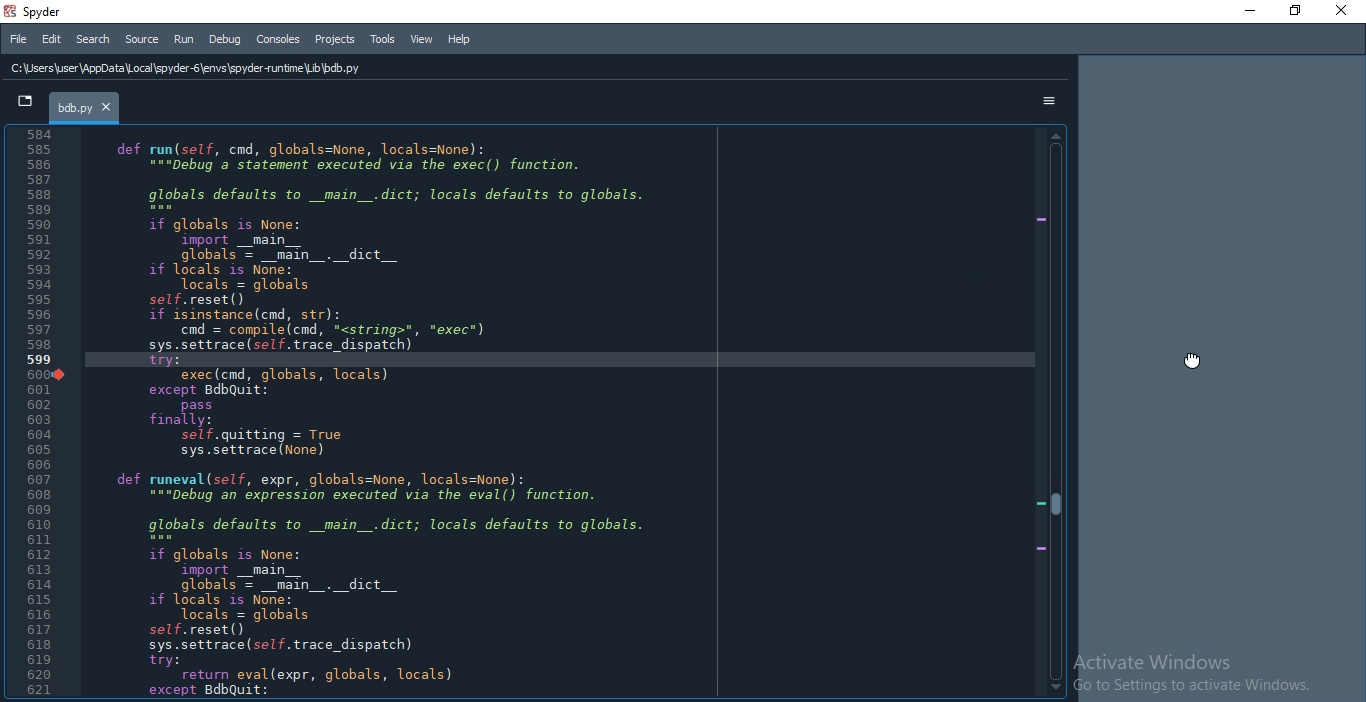  Describe the element at coordinates (18, 37) in the screenshot. I see `File ` at that location.